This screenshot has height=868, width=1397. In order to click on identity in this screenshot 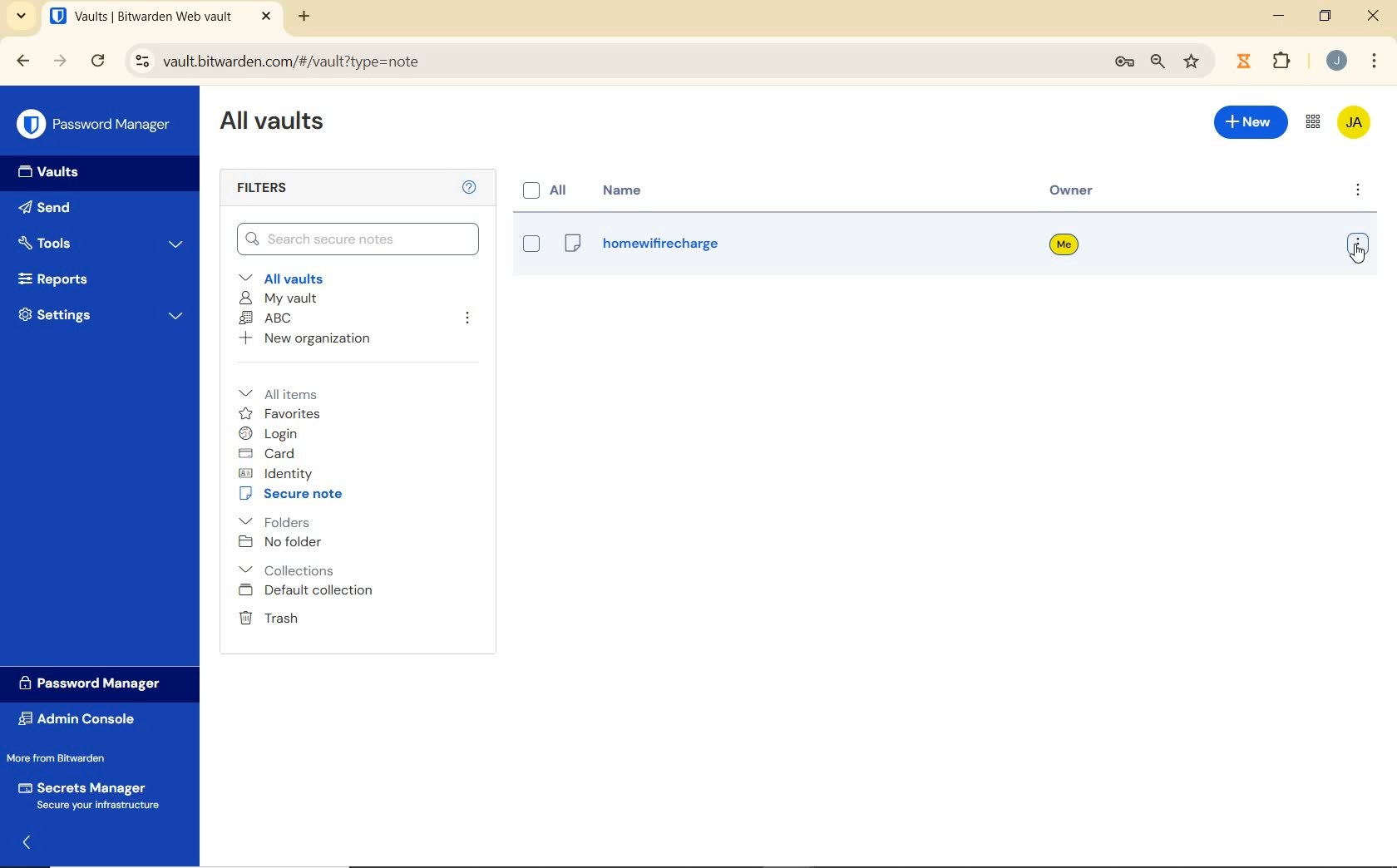, I will do `click(275, 472)`.